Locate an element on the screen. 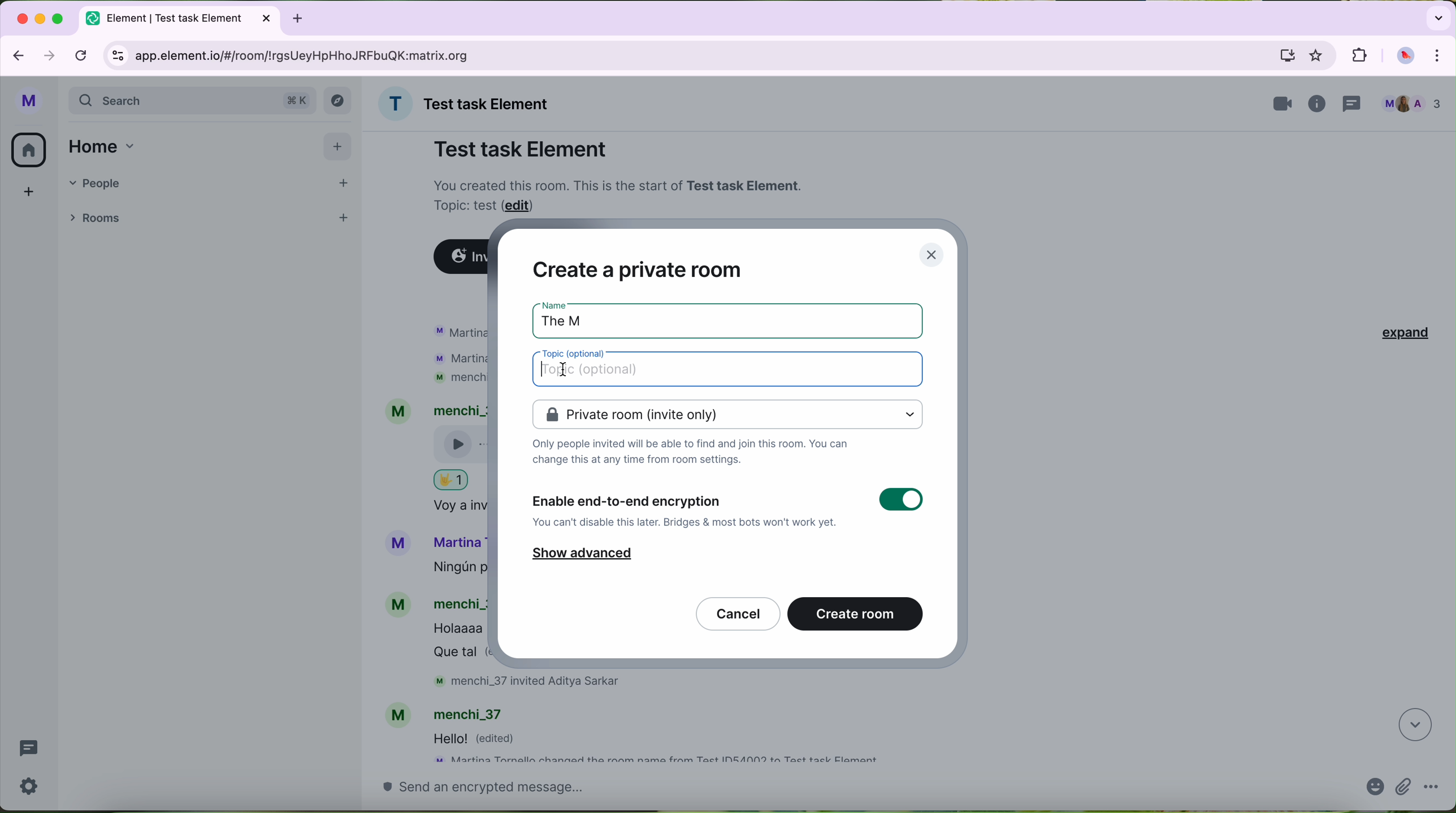 This screenshot has width=1456, height=813. navigate foward is located at coordinates (50, 55).